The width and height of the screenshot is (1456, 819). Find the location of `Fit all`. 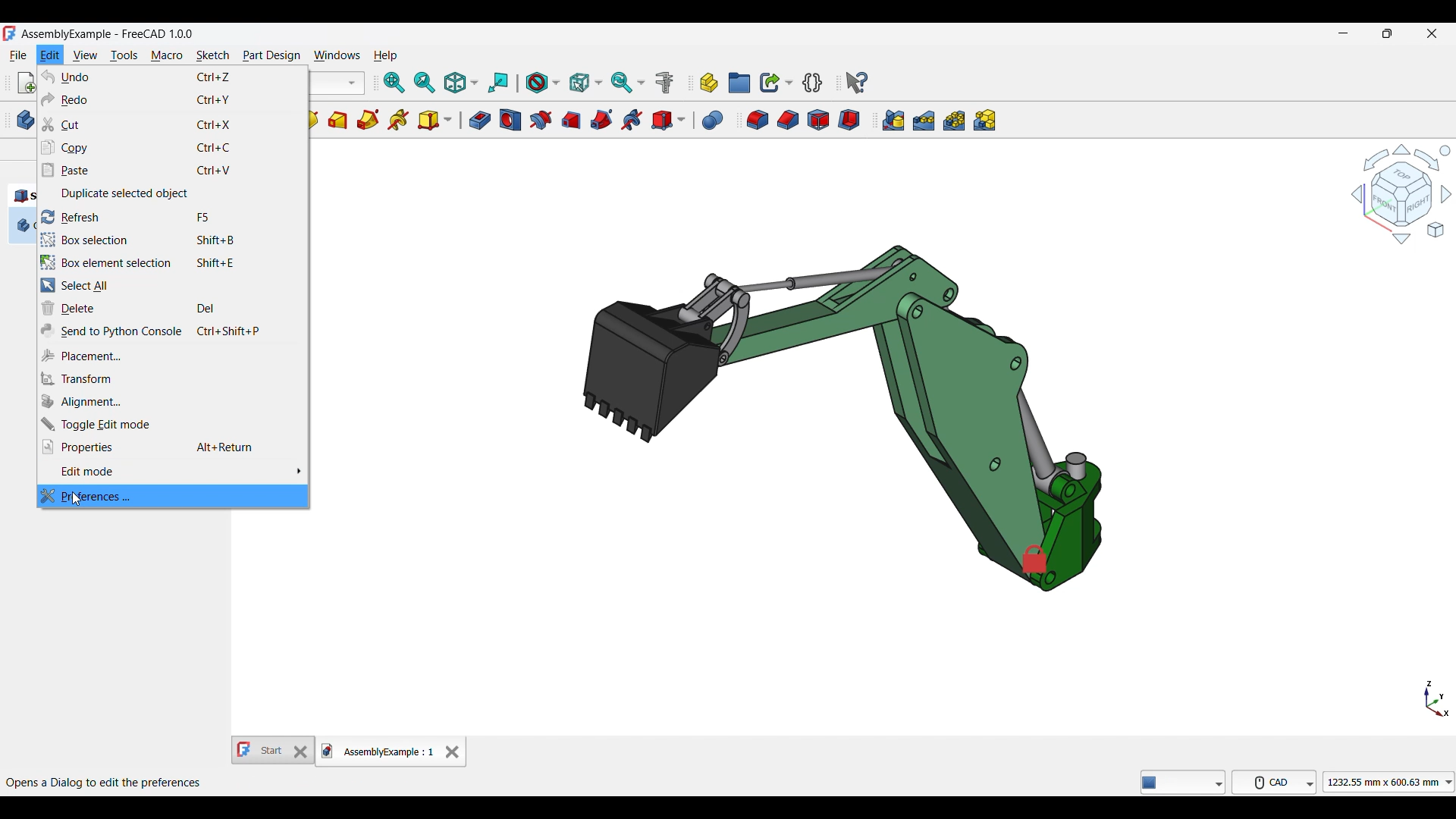

Fit all is located at coordinates (395, 83).